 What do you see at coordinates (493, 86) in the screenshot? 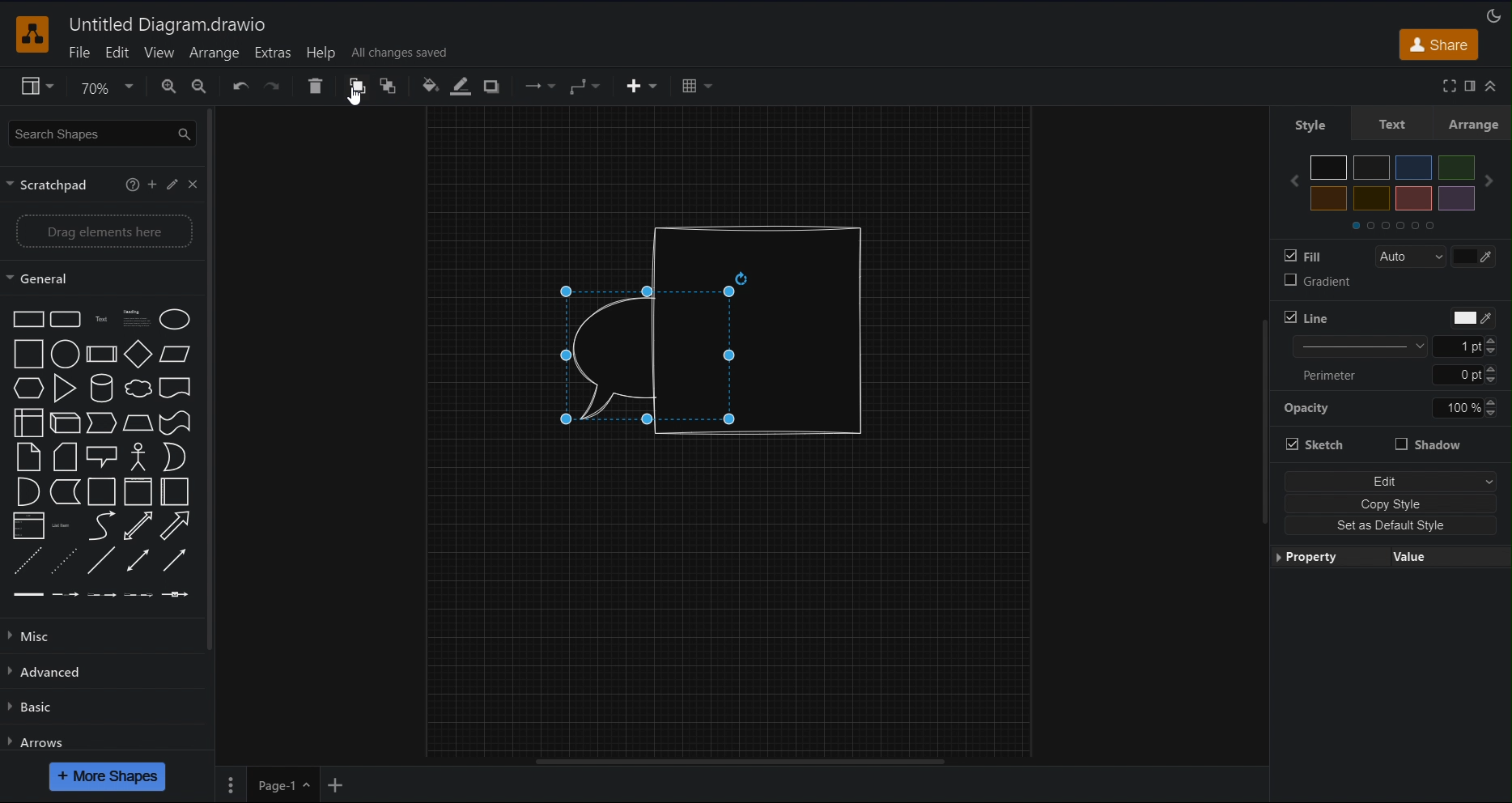
I see `Shadow` at bounding box center [493, 86].